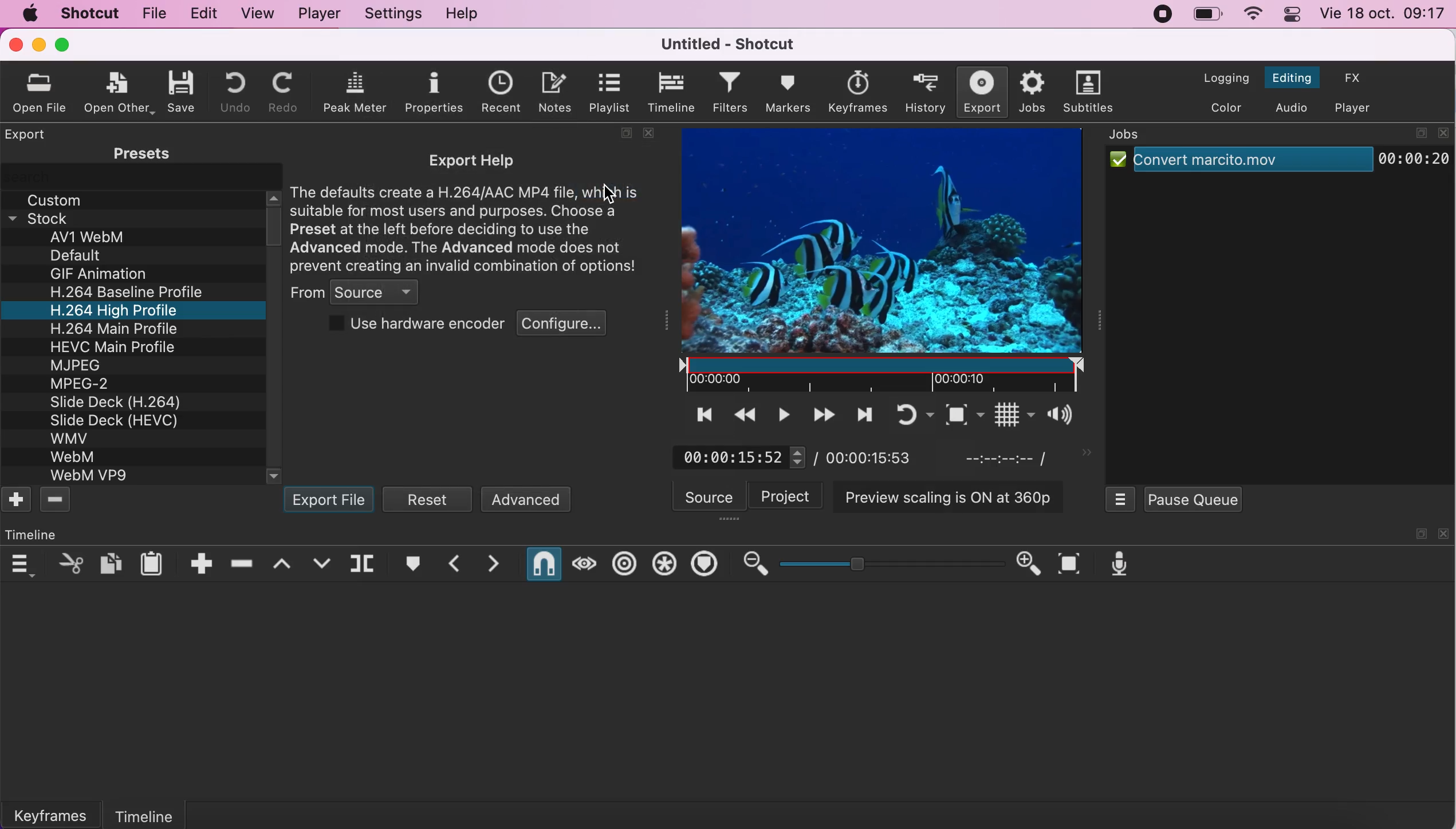  Describe the element at coordinates (743, 414) in the screenshot. I see `play quickly backwards` at that location.